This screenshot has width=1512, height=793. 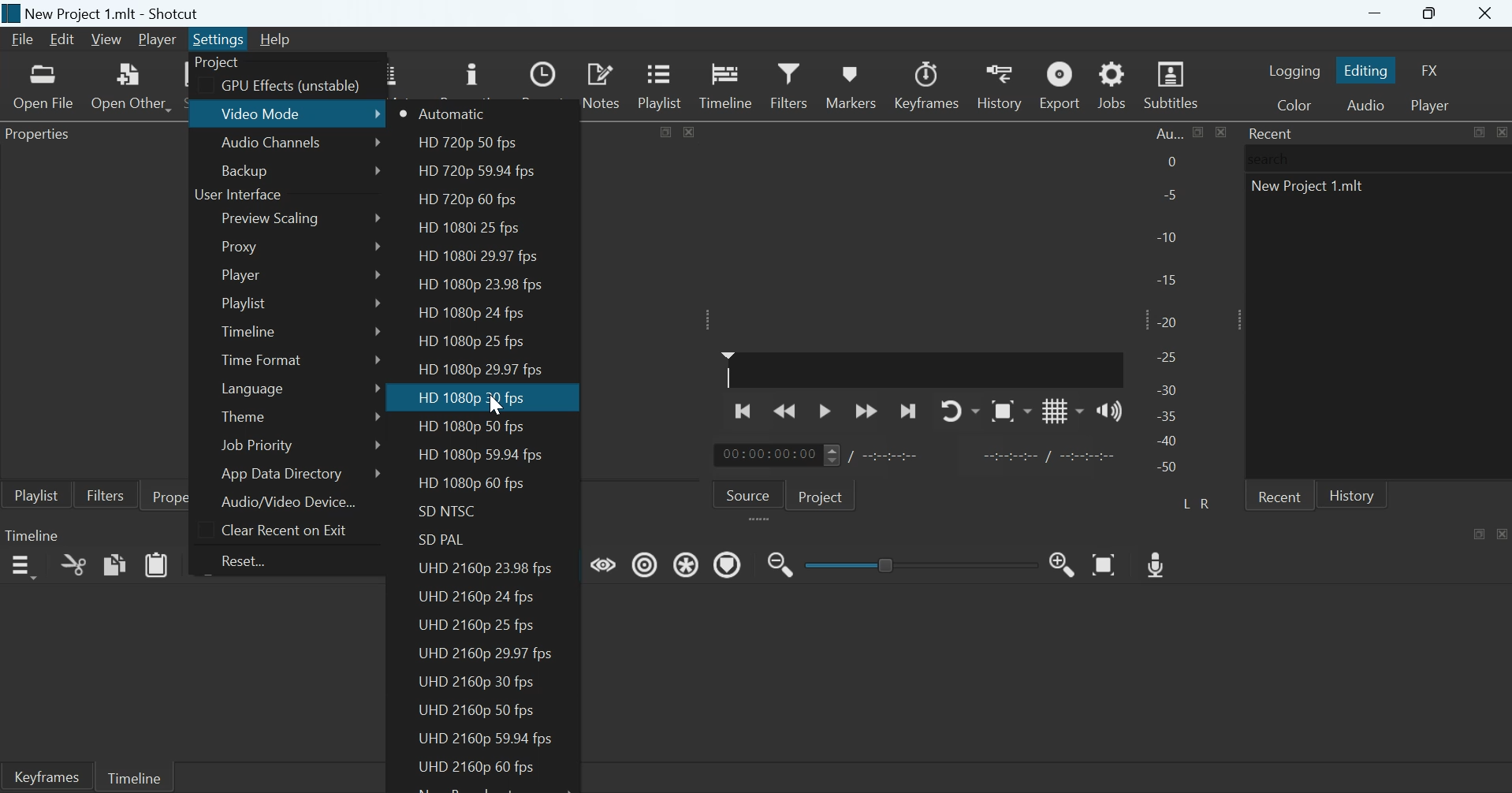 What do you see at coordinates (1188, 502) in the screenshot?
I see `Left` at bounding box center [1188, 502].